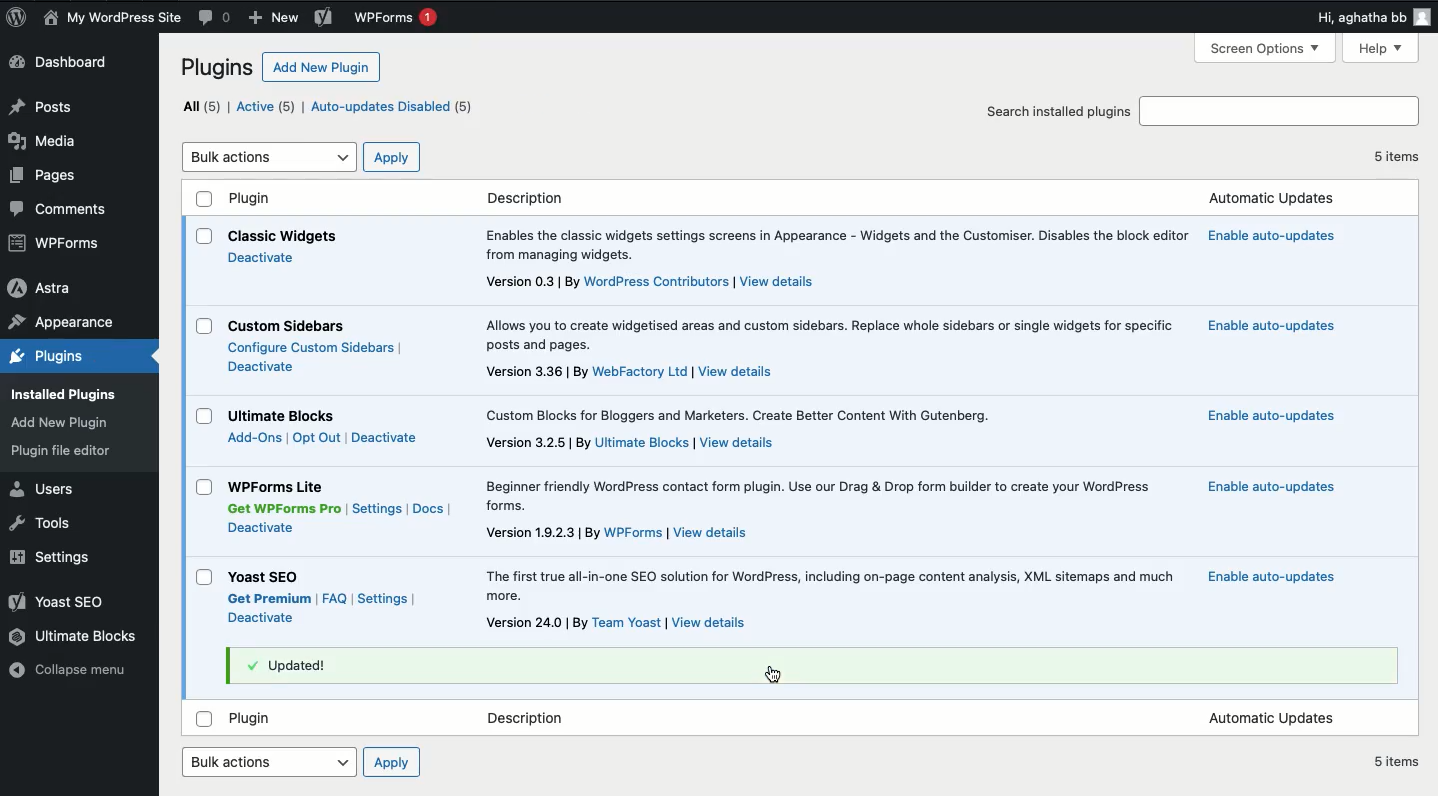 Image resolution: width=1438 pixels, height=796 pixels. What do you see at coordinates (254, 439) in the screenshot?
I see `Add ons` at bounding box center [254, 439].